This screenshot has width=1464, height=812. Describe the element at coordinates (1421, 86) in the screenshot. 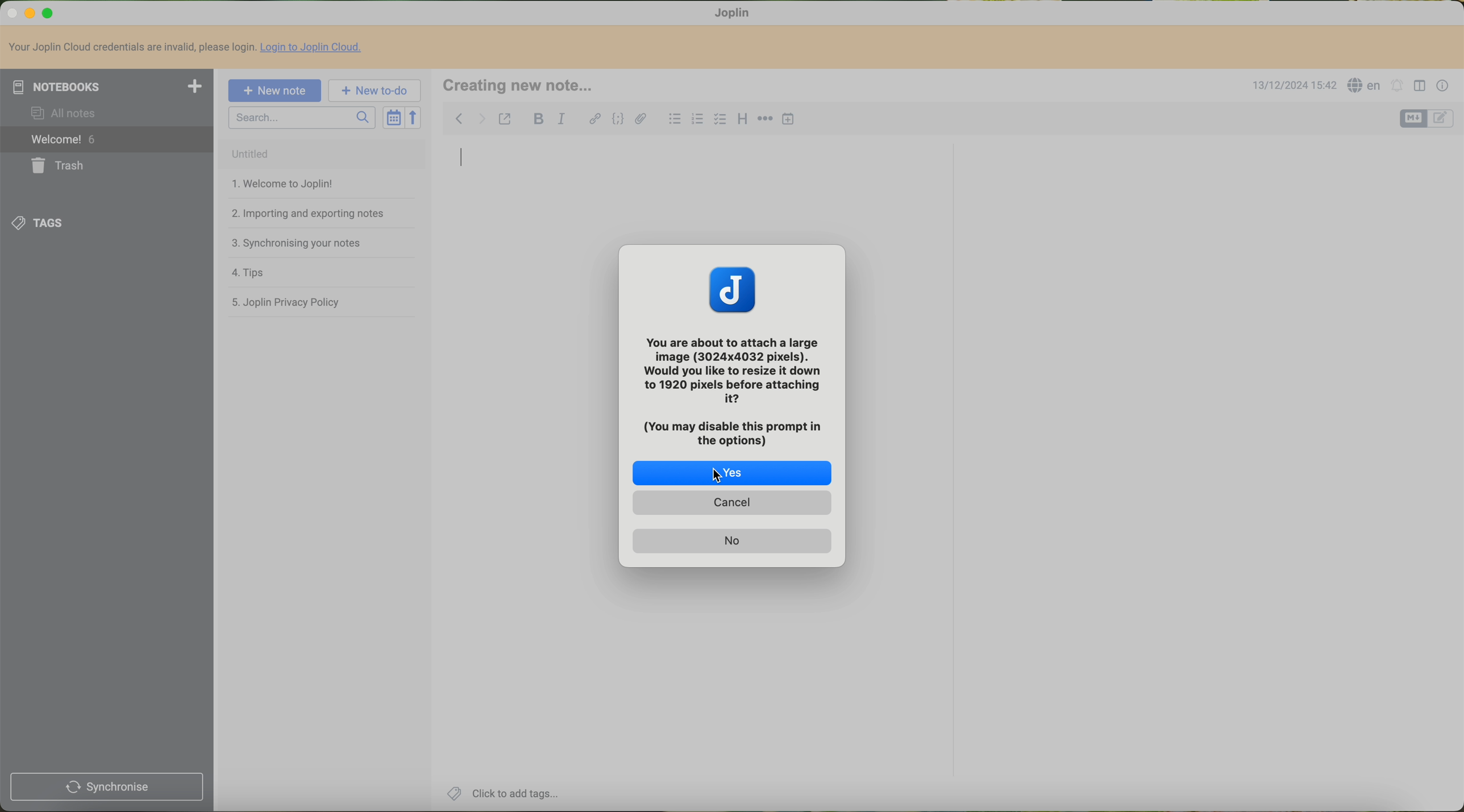

I see `toggle editor layout` at that location.